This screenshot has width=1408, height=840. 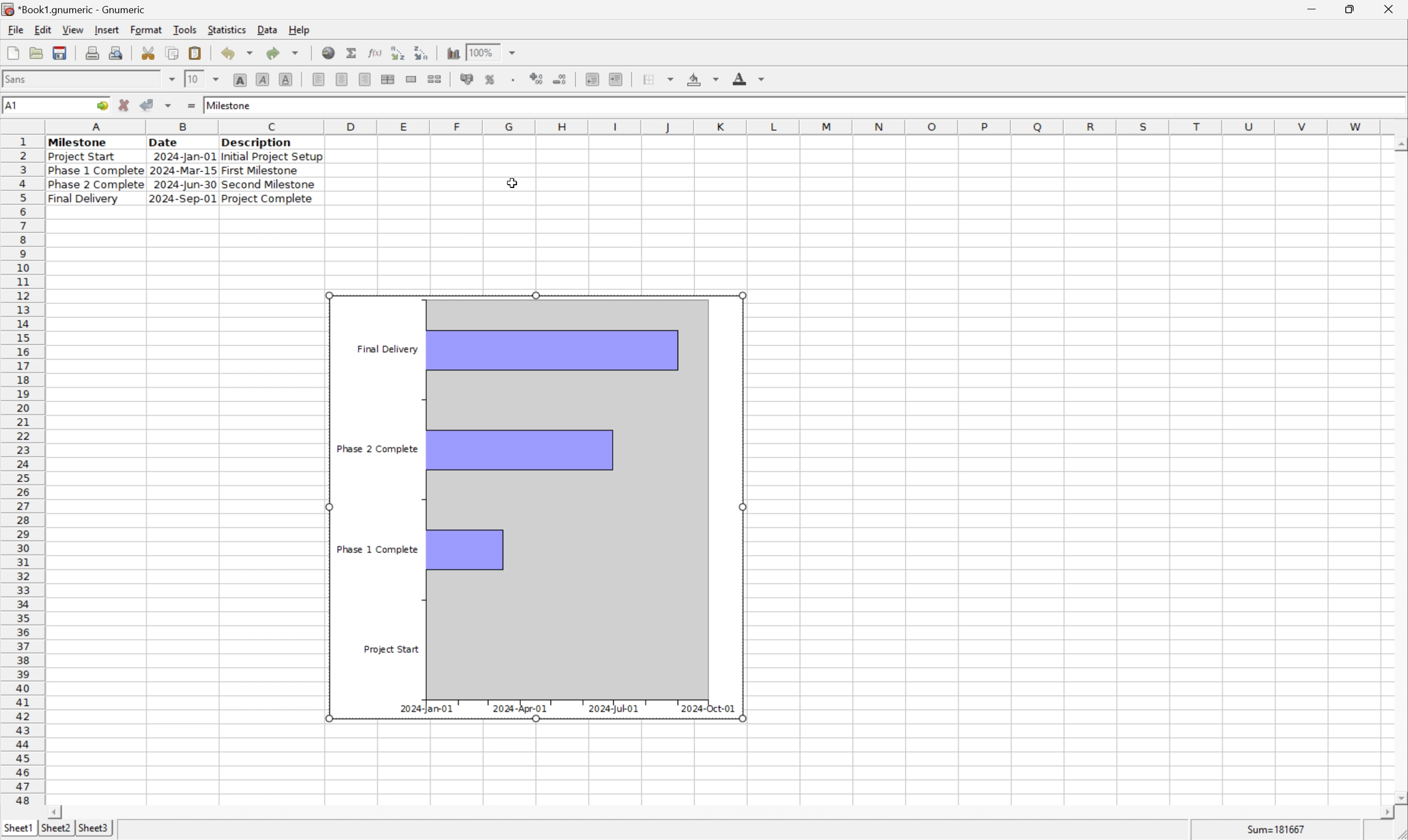 I want to click on print preview, so click(x=92, y=52).